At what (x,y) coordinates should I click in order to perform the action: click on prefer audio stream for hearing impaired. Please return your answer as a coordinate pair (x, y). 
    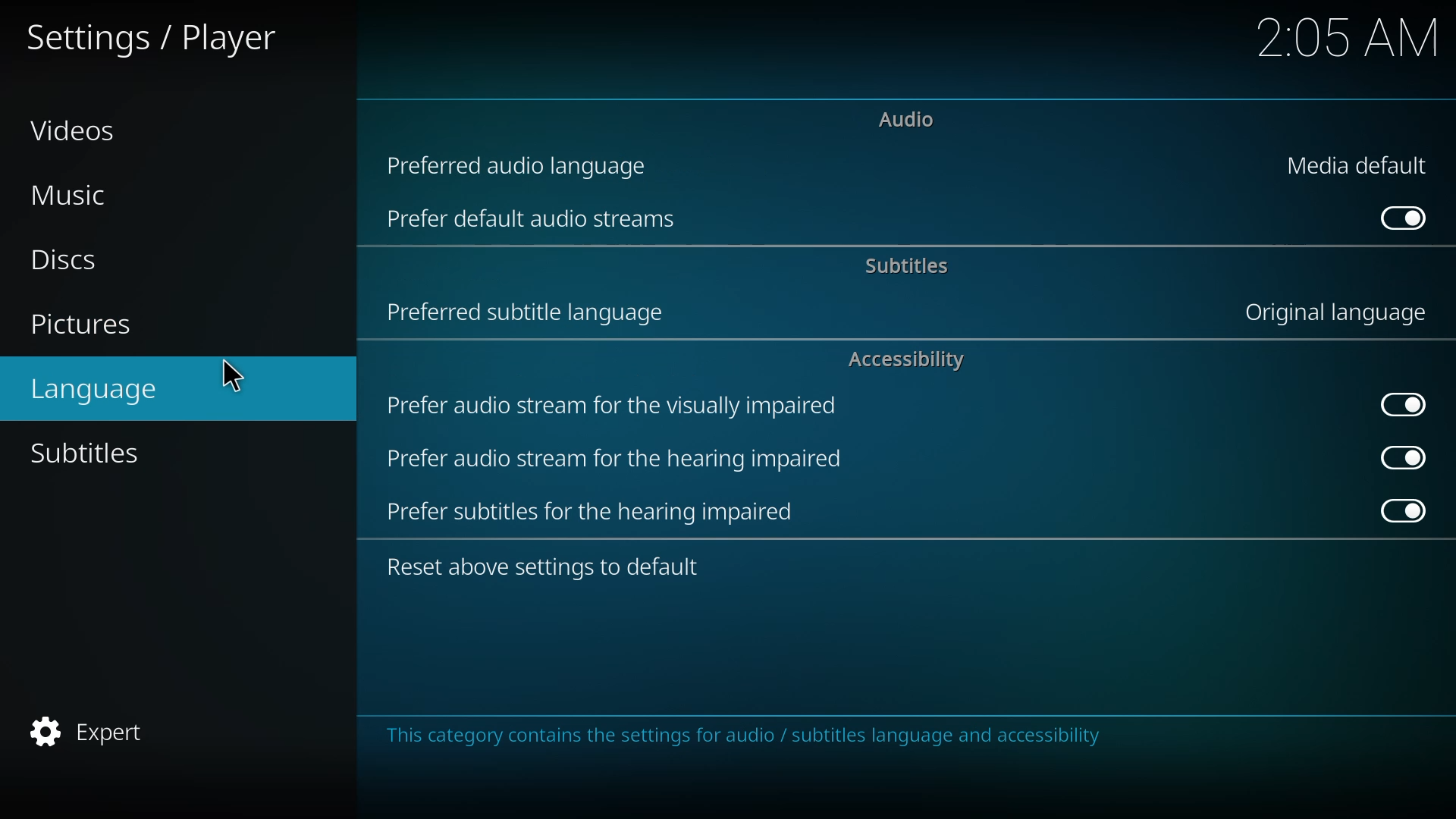
    Looking at the image, I should click on (615, 457).